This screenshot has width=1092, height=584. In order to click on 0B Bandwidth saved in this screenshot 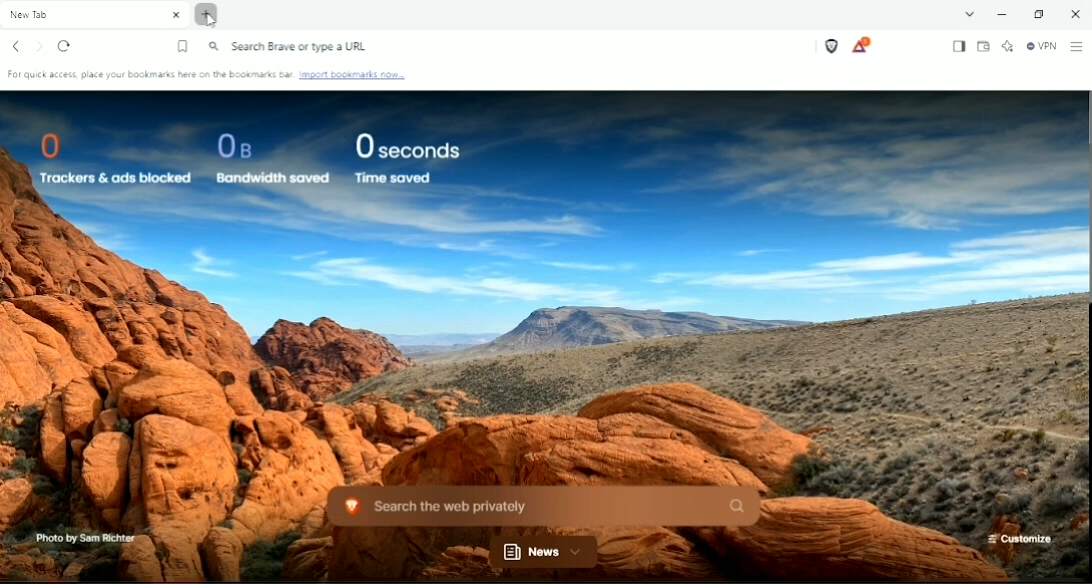, I will do `click(271, 157)`.